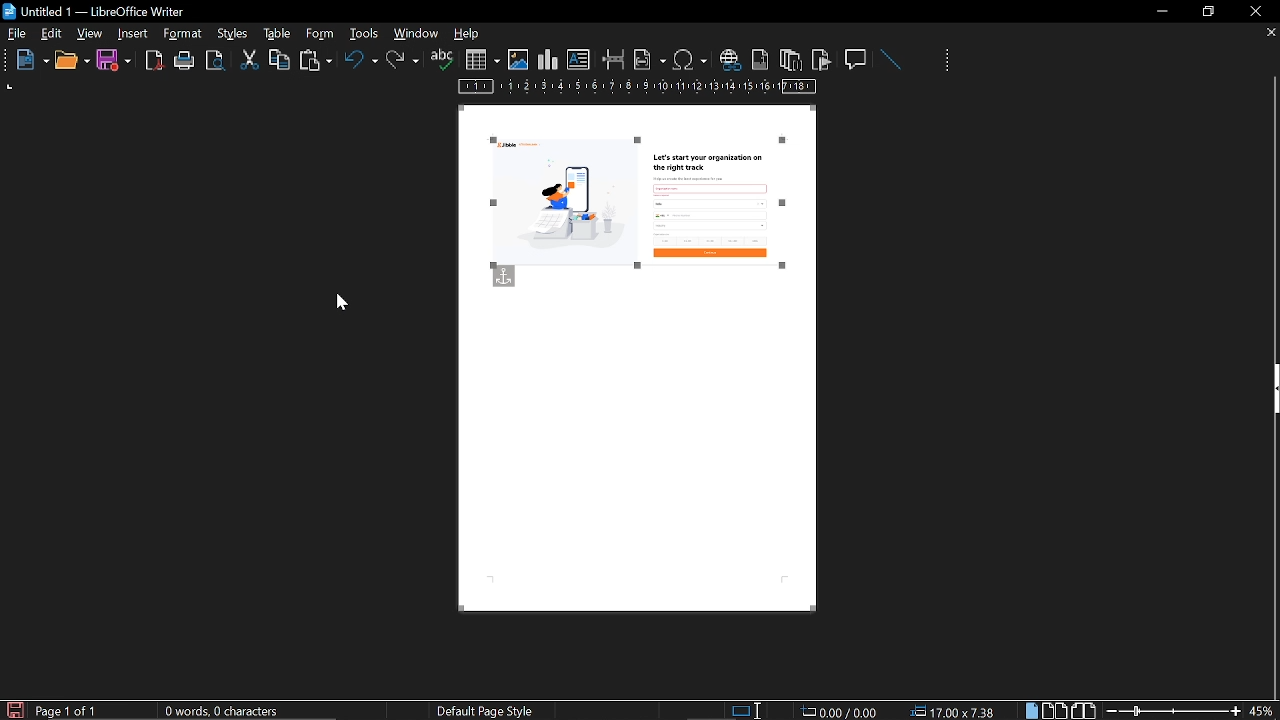  What do you see at coordinates (71, 61) in the screenshot?
I see `open` at bounding box center [71, 61].